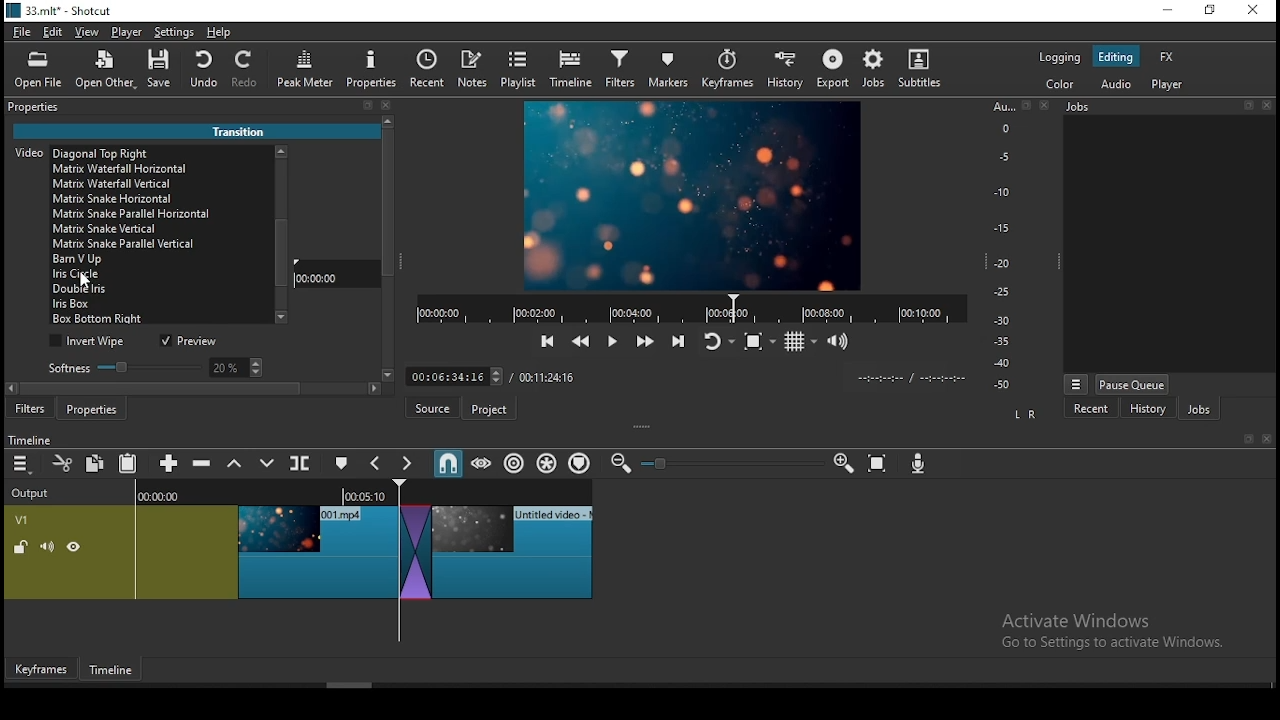  I want to click on properties, so click(96, 409).